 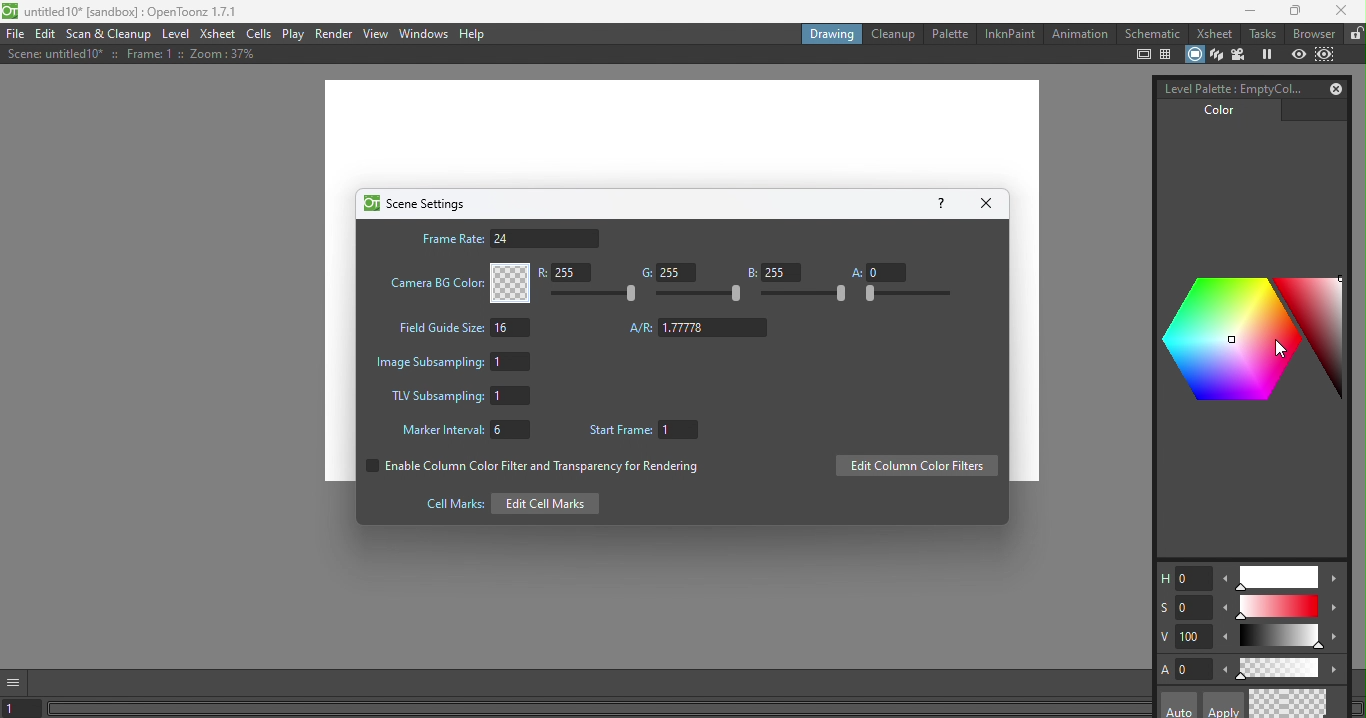 What do you see at coordinates (1221, 705) in the screenshot?
I see `Apply` at bounding box center [1221, 705].